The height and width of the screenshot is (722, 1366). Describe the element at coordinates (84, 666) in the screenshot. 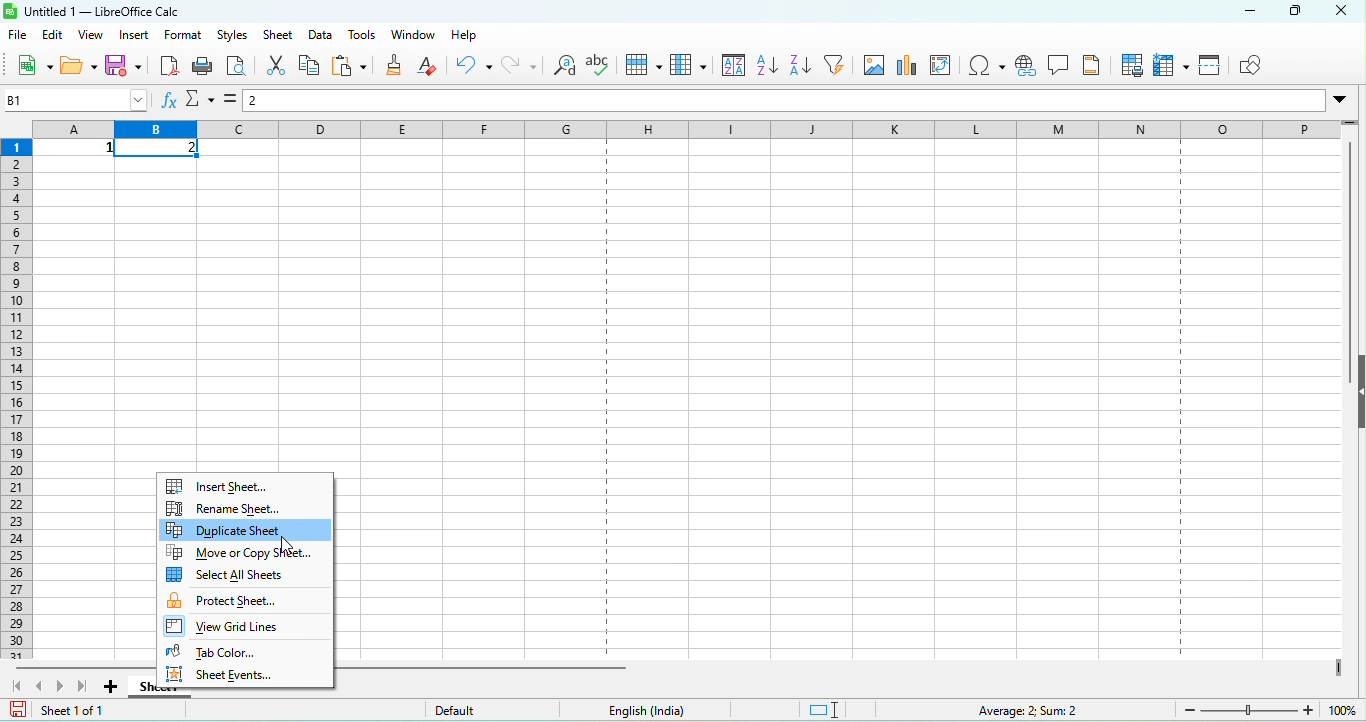

I see `horizontal bar` at that location.